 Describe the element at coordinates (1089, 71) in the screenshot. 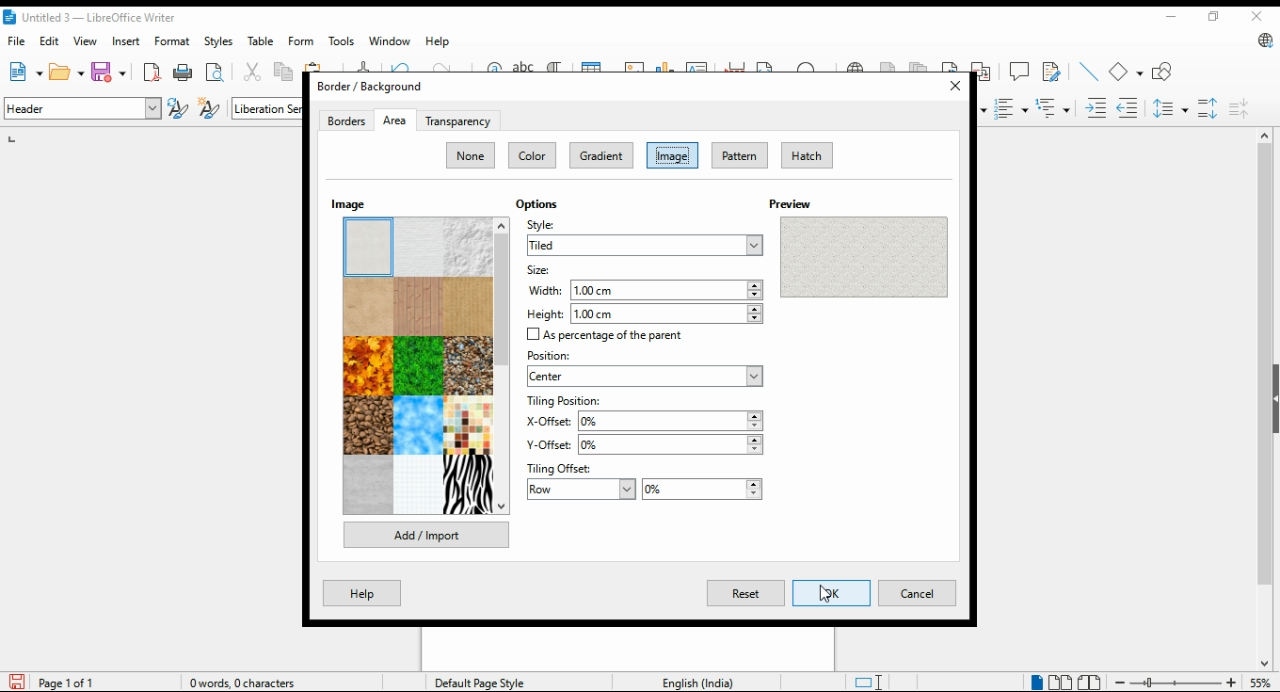

I see `insert line` at that location.